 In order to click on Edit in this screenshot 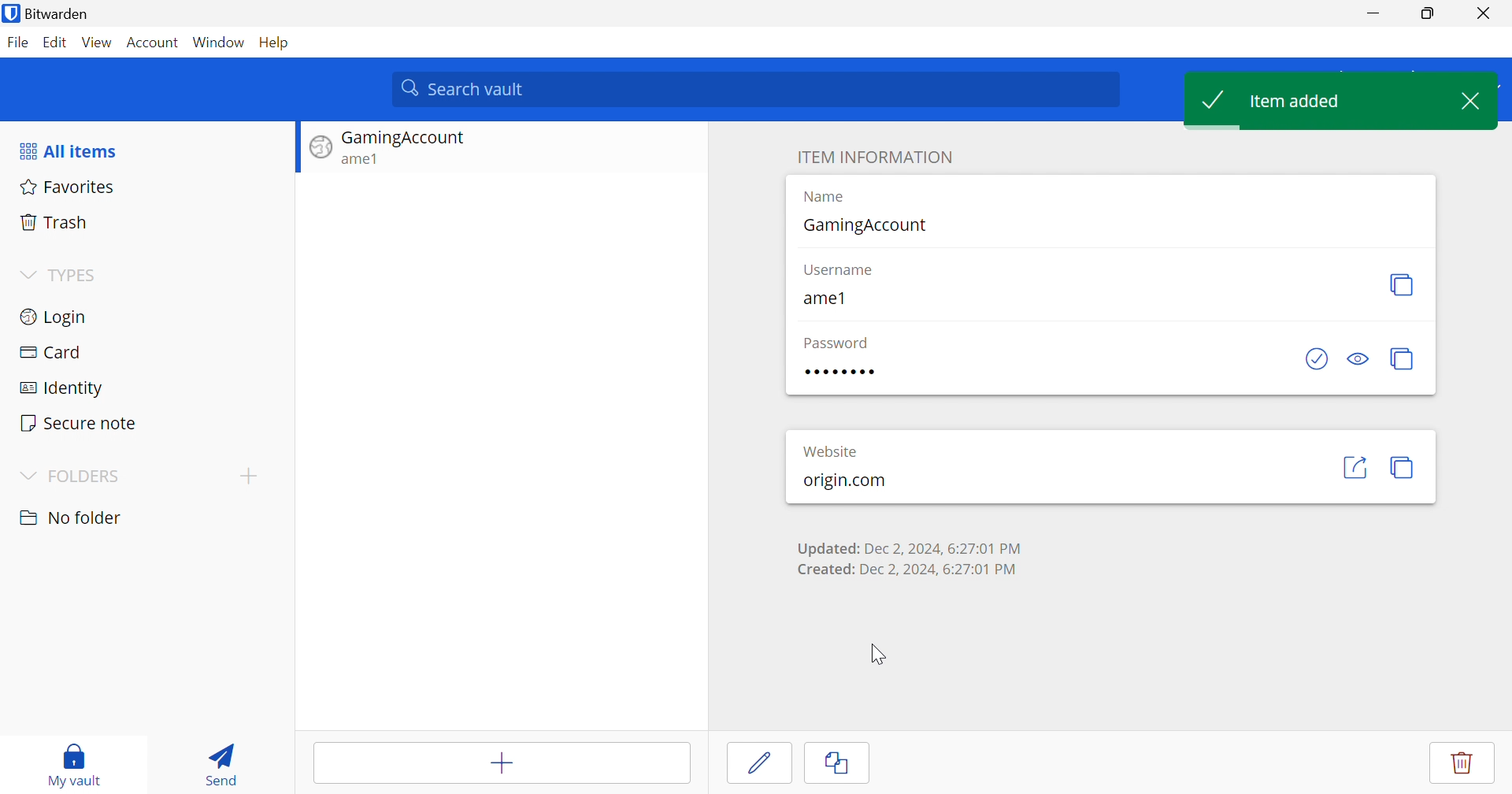, I will do `click(57, 41)`.